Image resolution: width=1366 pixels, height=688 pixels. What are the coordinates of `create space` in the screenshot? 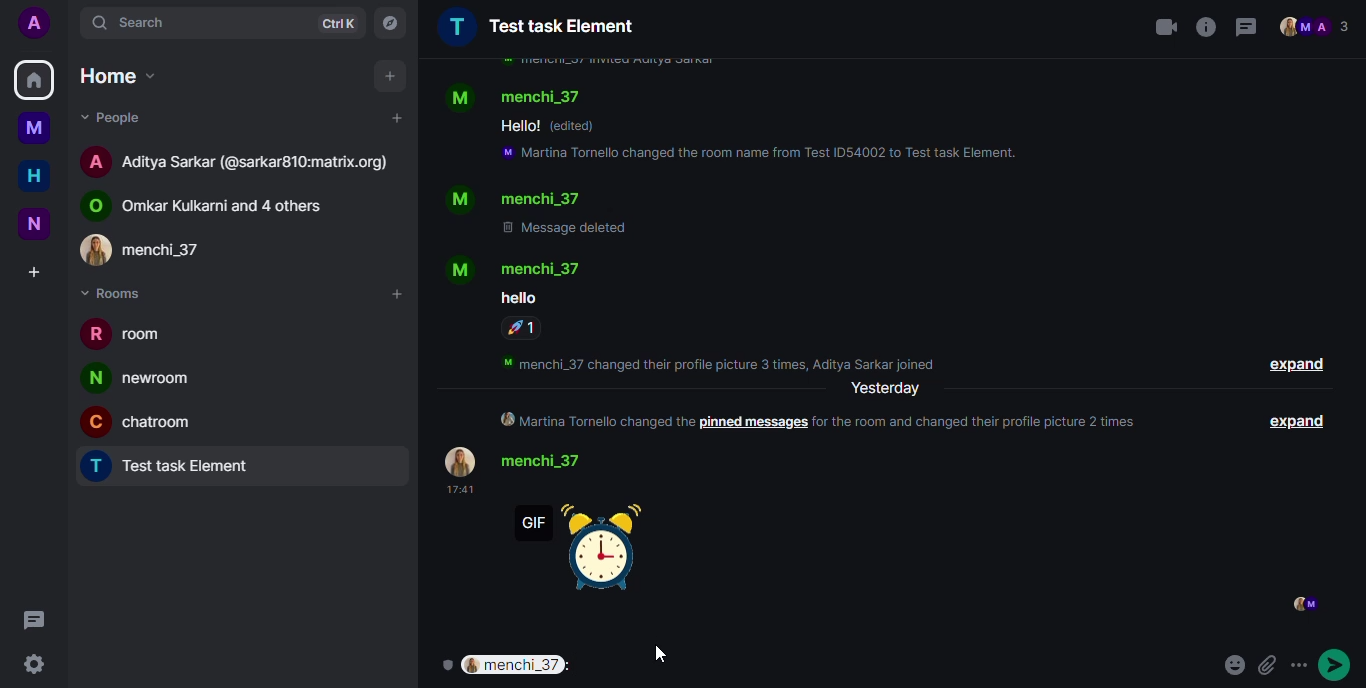 It's located at (32, 273).